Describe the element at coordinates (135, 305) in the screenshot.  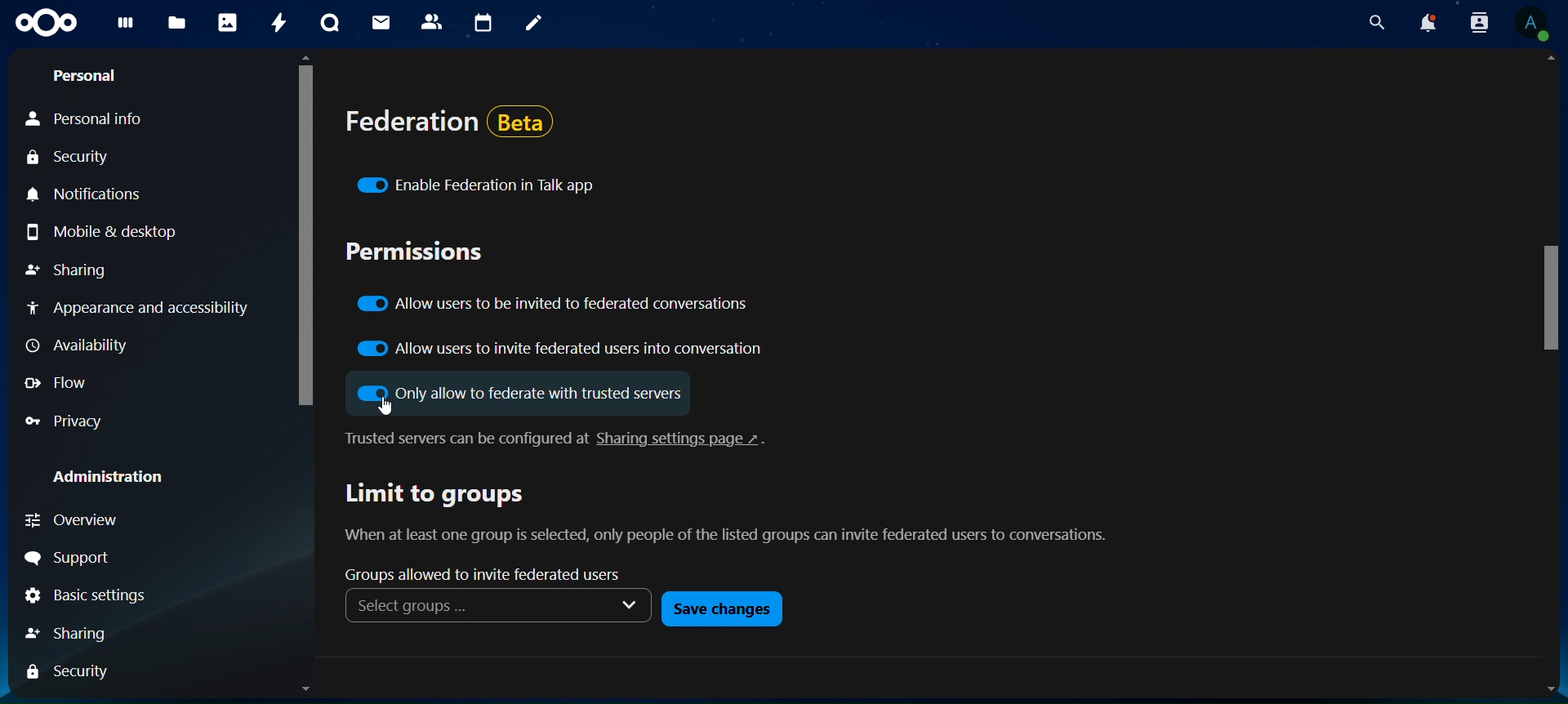
I see `appearance and accessibility ` at that location.